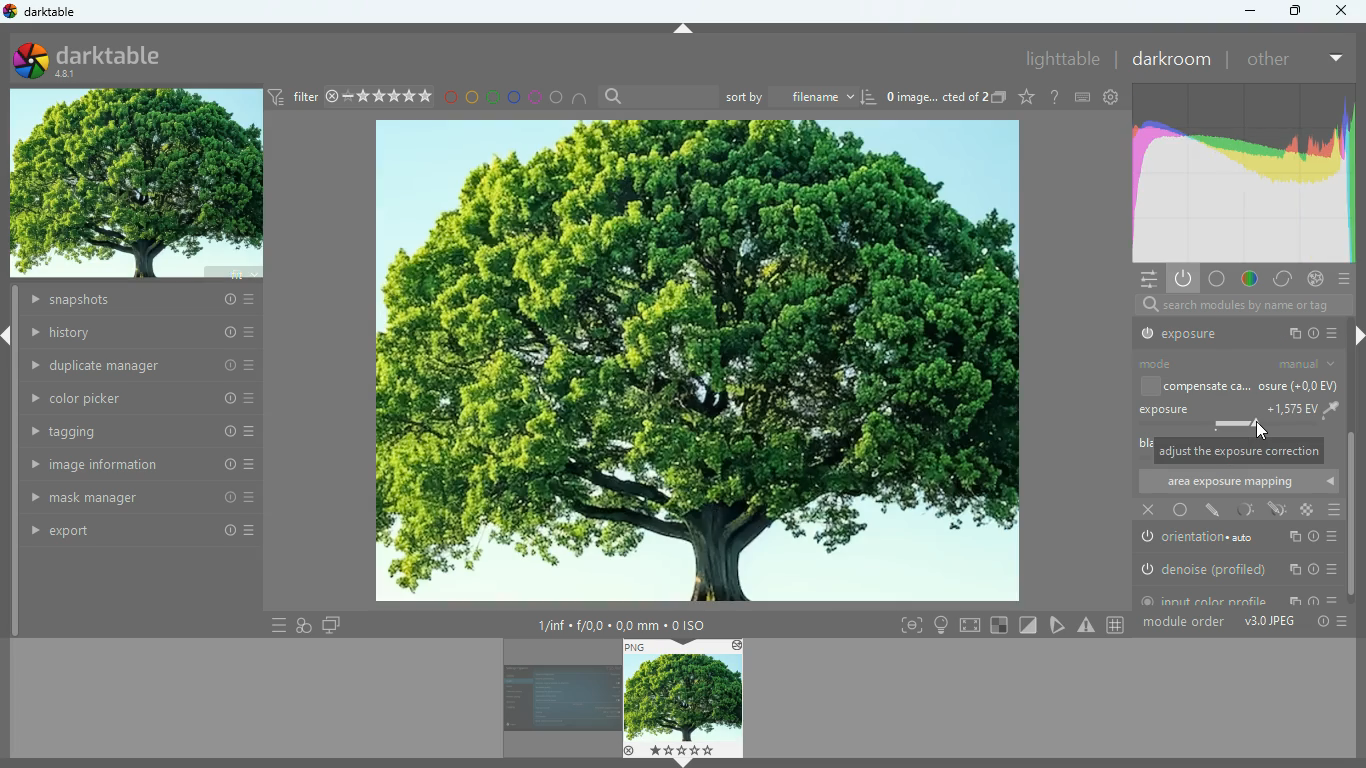 The image size is (1366, 768). I want to click on image information, so click(622, 622).